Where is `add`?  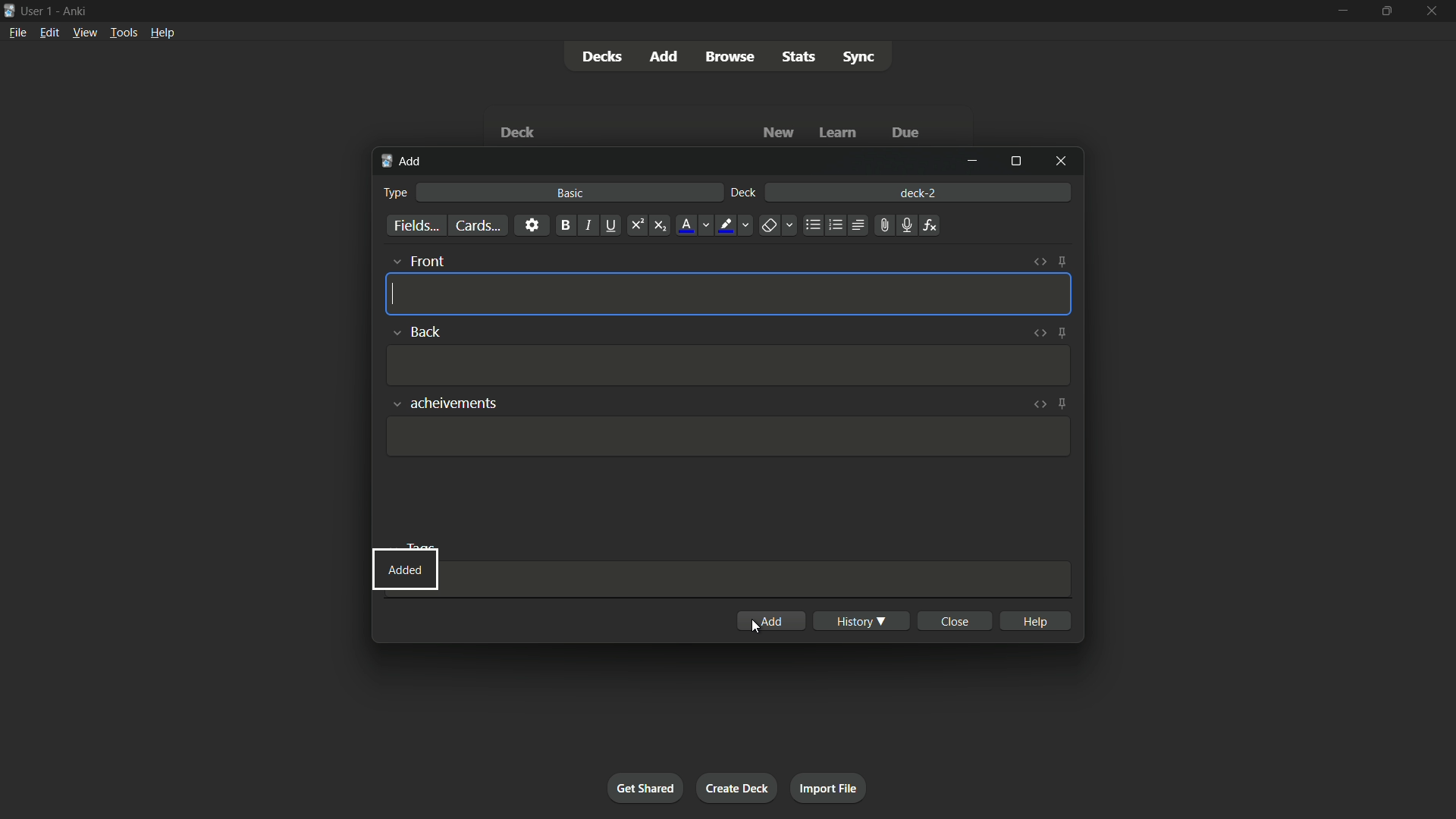
add is located at coordinates (662, 56).